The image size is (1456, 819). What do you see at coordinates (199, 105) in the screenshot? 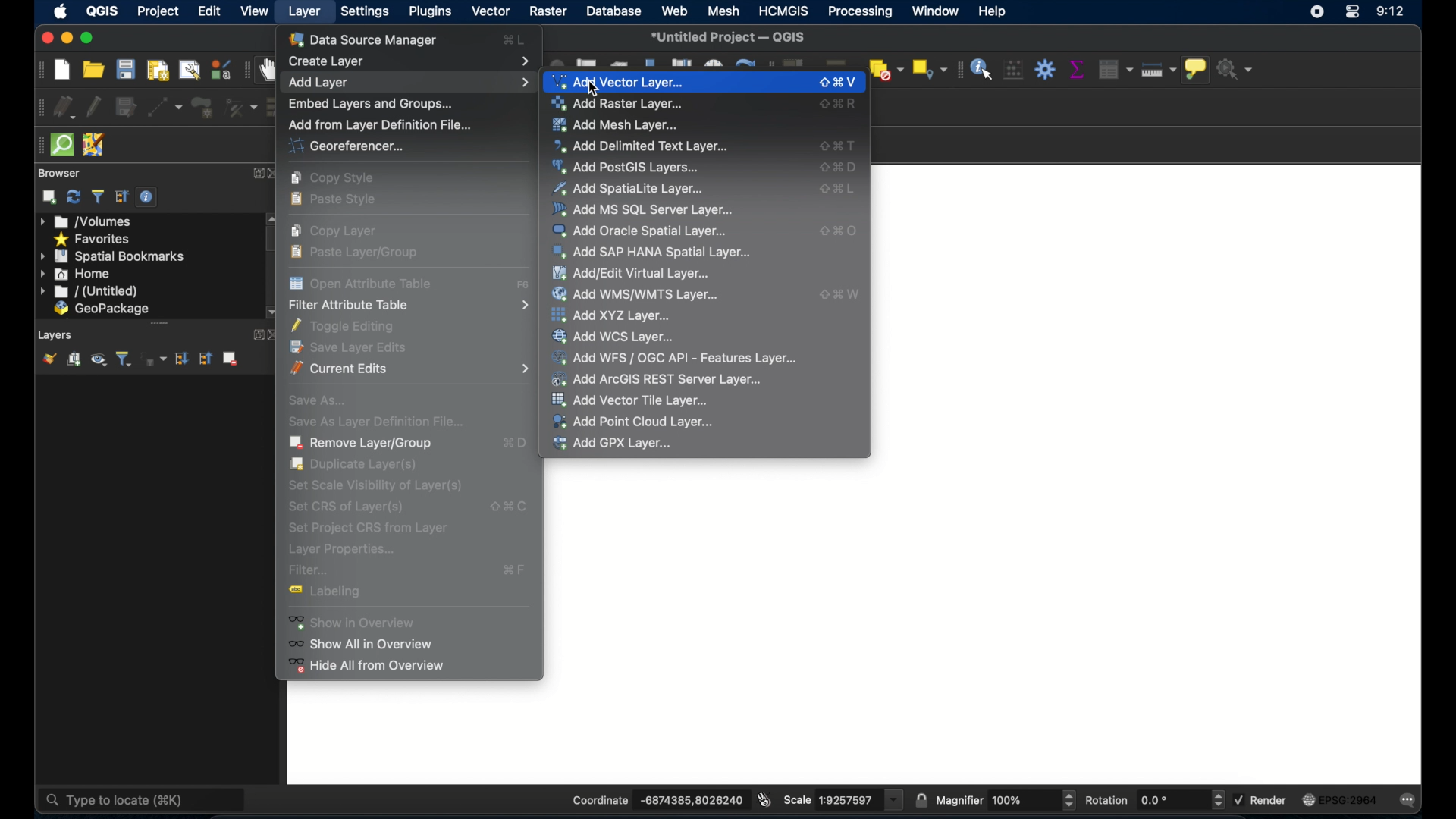
I see `add polygon feature` at bounding box center [199, 105].